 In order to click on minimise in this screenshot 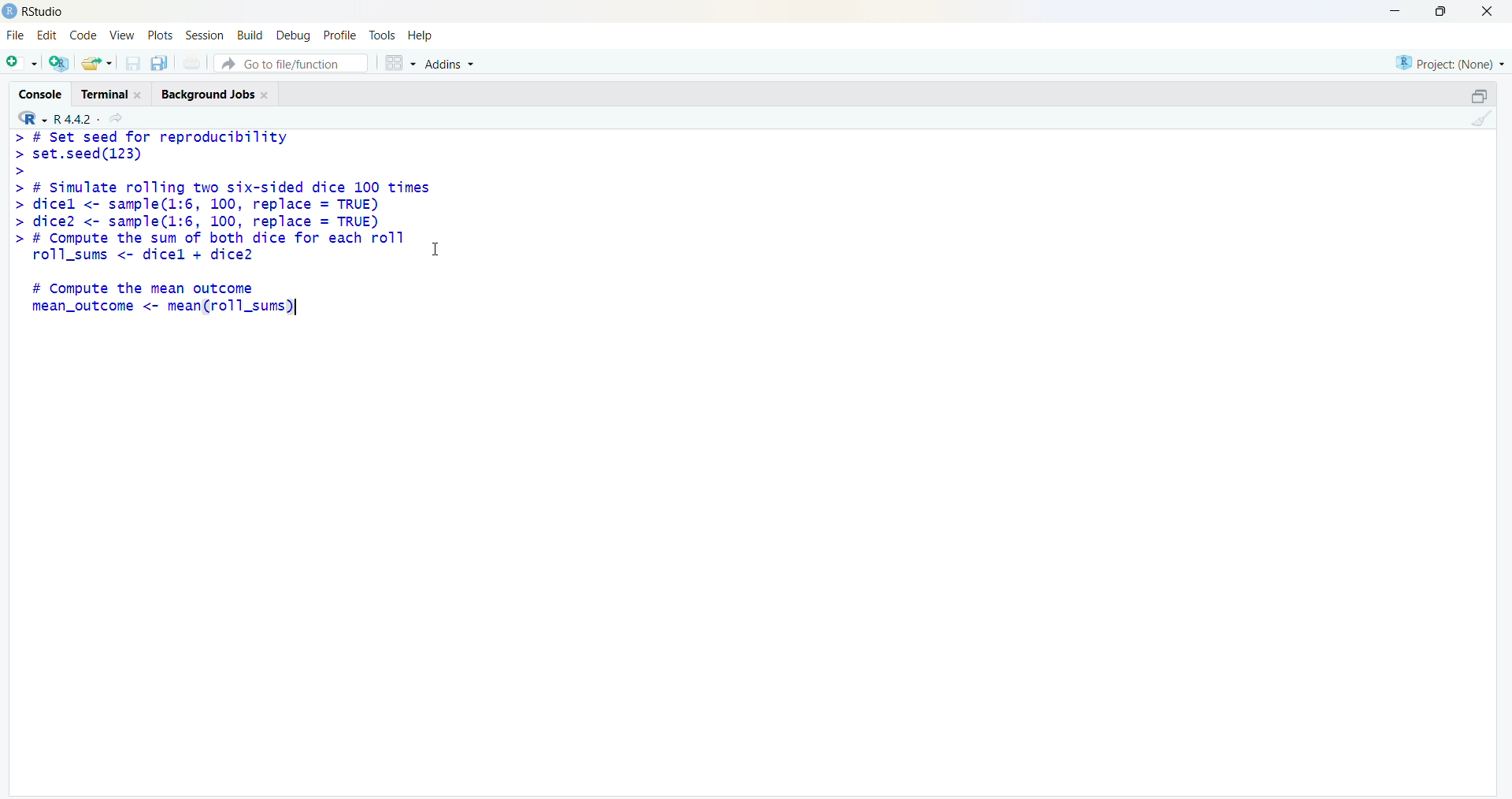, I will do `click(1397, 9)`.